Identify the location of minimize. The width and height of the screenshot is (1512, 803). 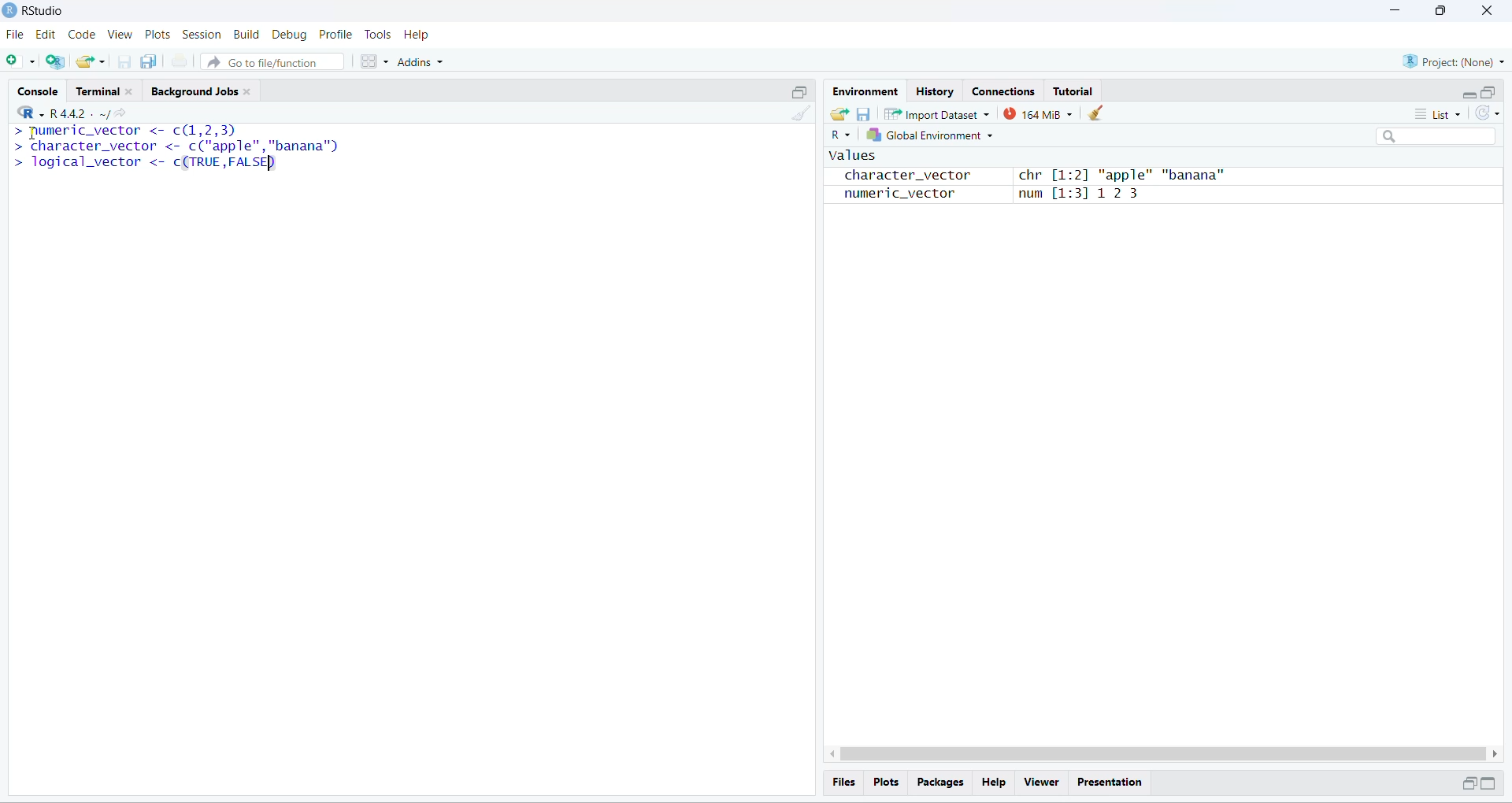
(1469, 96).